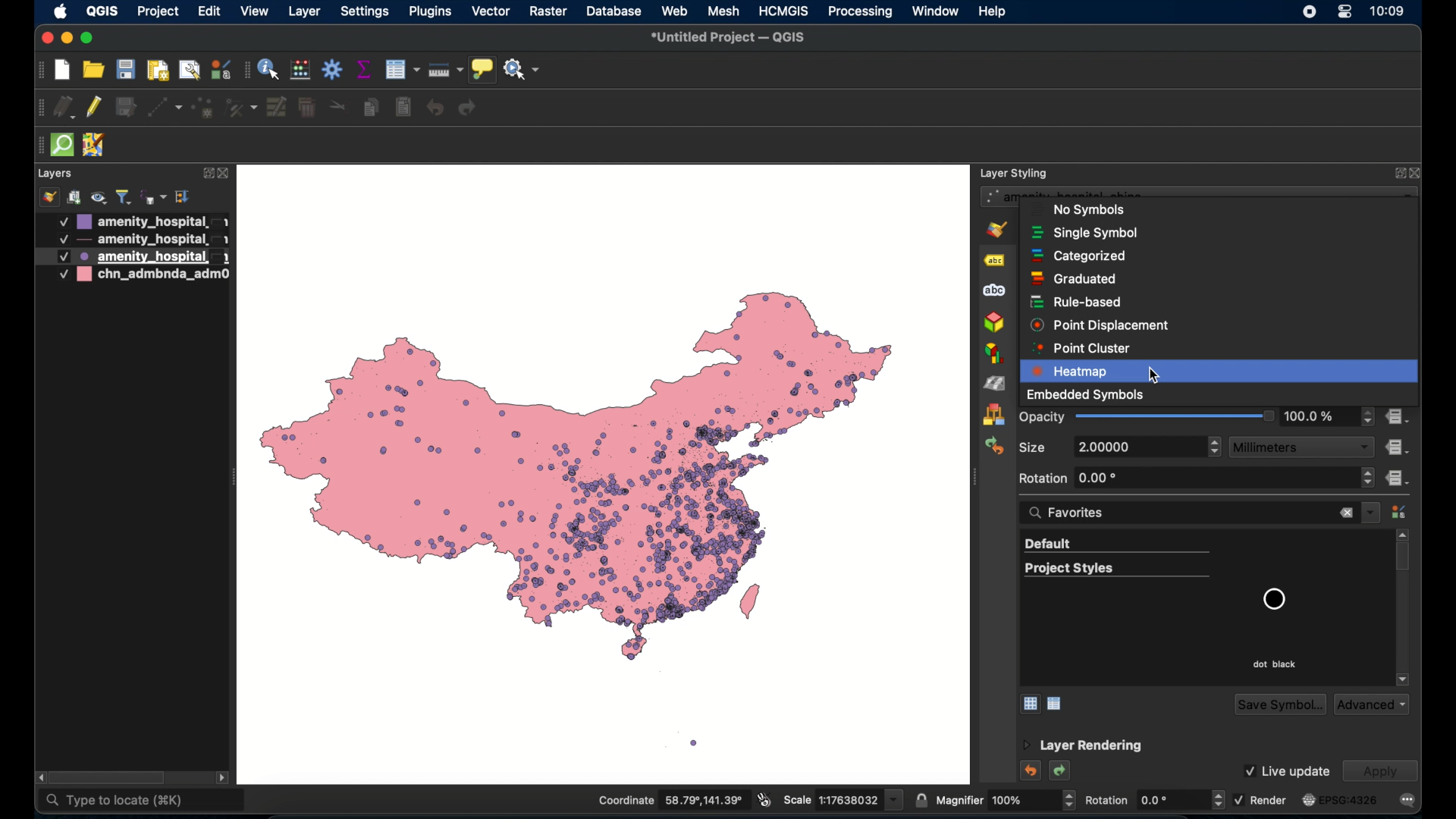 Image resolution: width=1456 pixels, height=819 pixels. I want to click on delete selected, so click(403, 108).